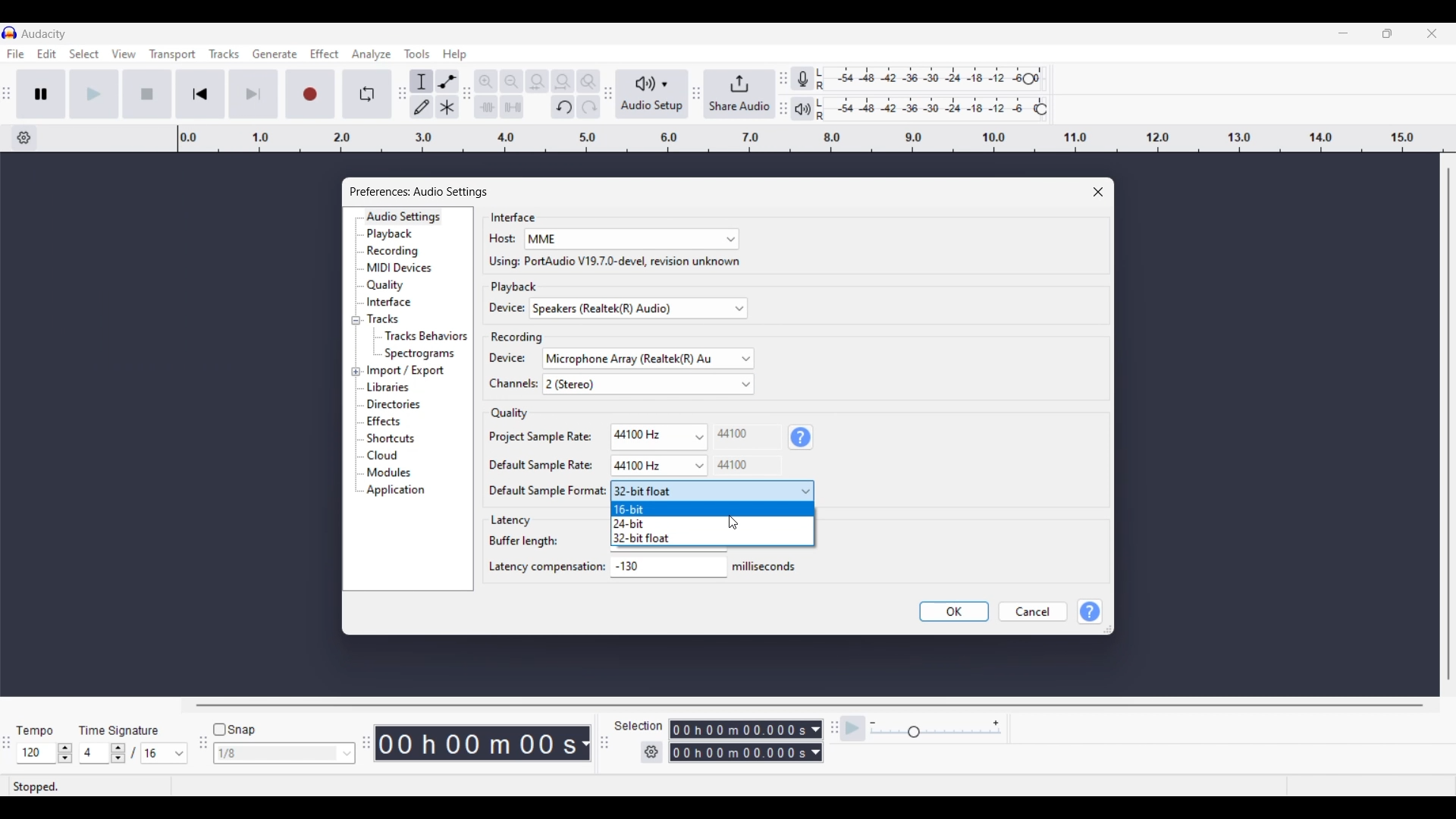  I want to click on Default Sample Format:, so click(538, 492).